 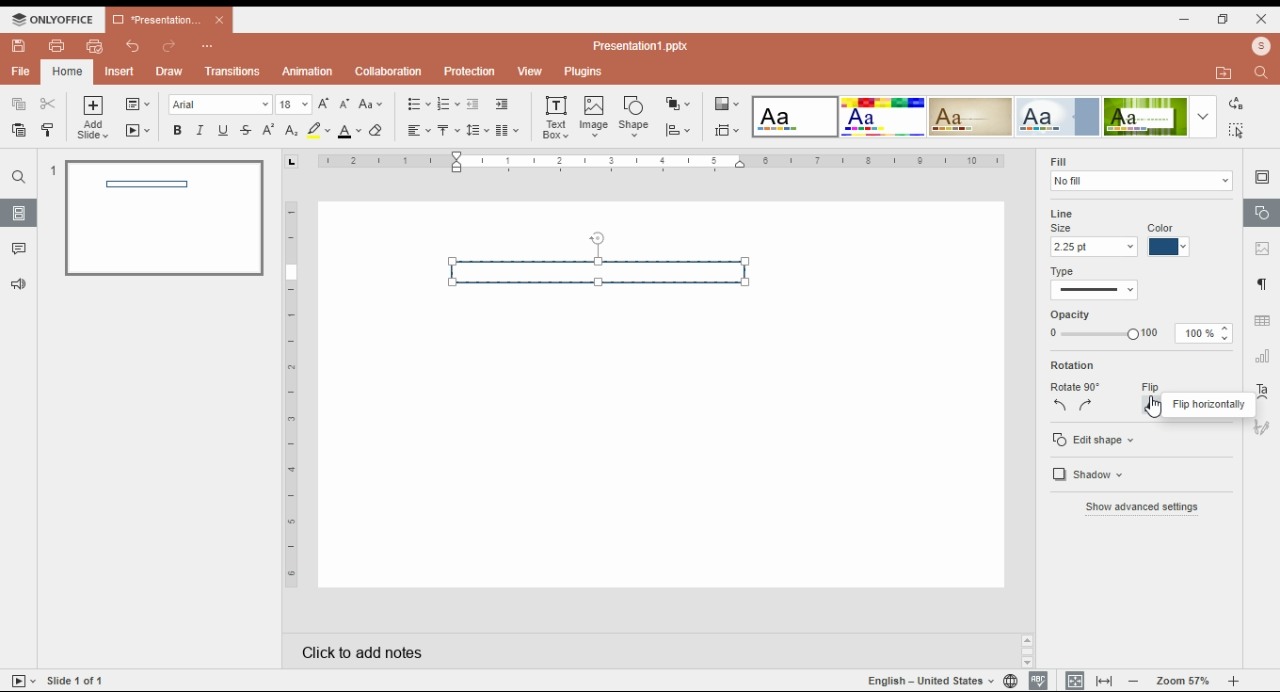 I want to click on draw, so click(x=169, y=72).